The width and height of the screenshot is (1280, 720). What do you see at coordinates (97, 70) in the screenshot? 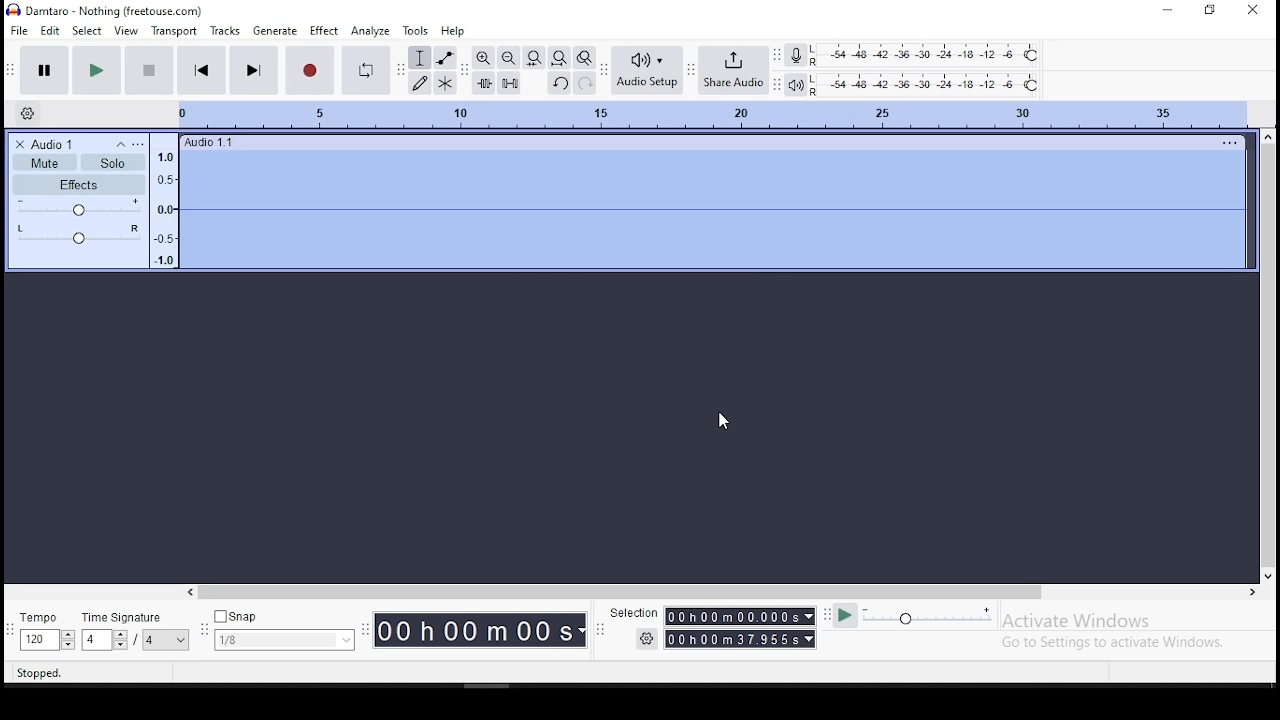
I see `play` at bounding box center [97, 70].